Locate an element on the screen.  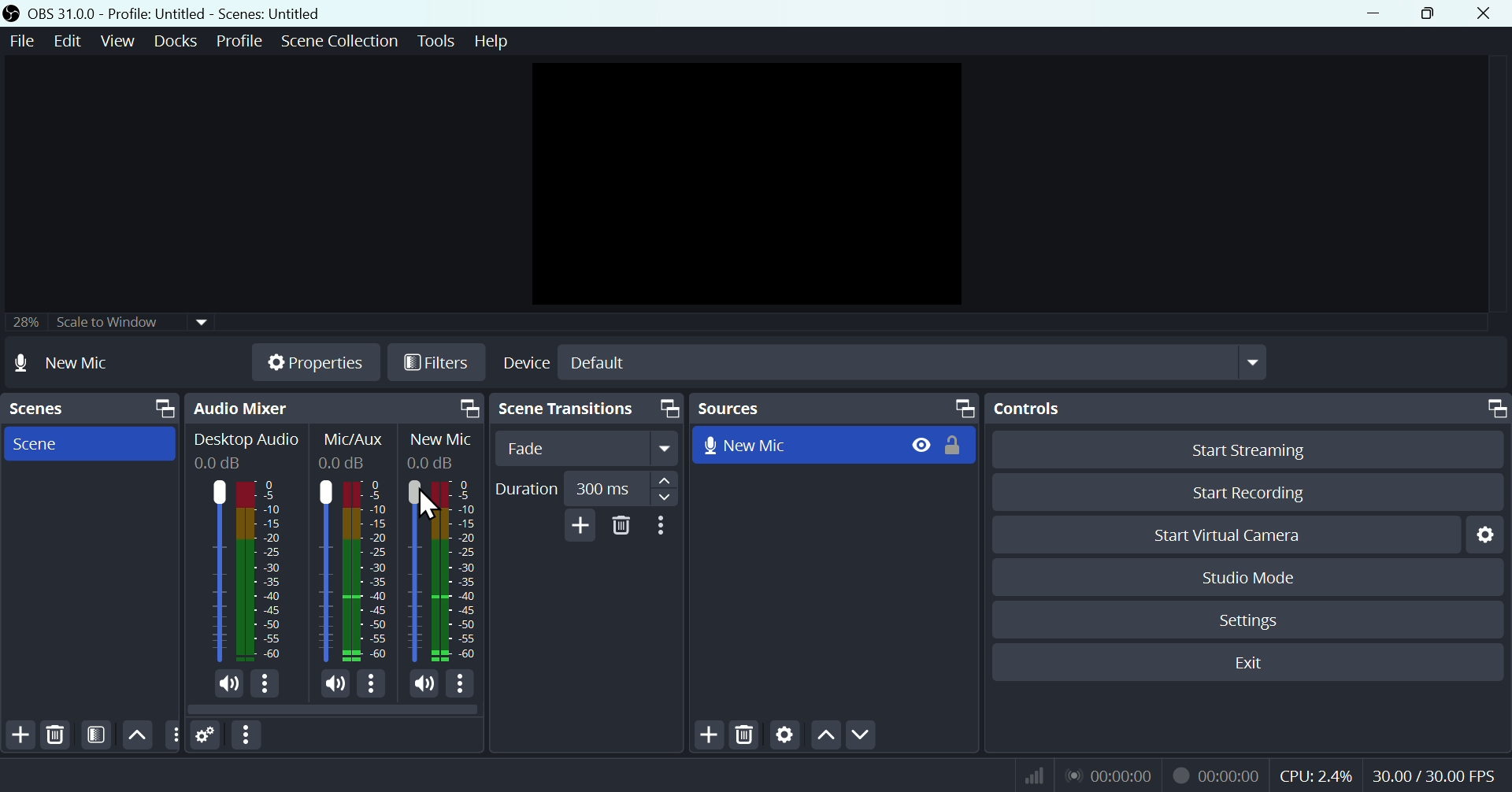
start Virtual camera is located at coordinates (1236, 535).